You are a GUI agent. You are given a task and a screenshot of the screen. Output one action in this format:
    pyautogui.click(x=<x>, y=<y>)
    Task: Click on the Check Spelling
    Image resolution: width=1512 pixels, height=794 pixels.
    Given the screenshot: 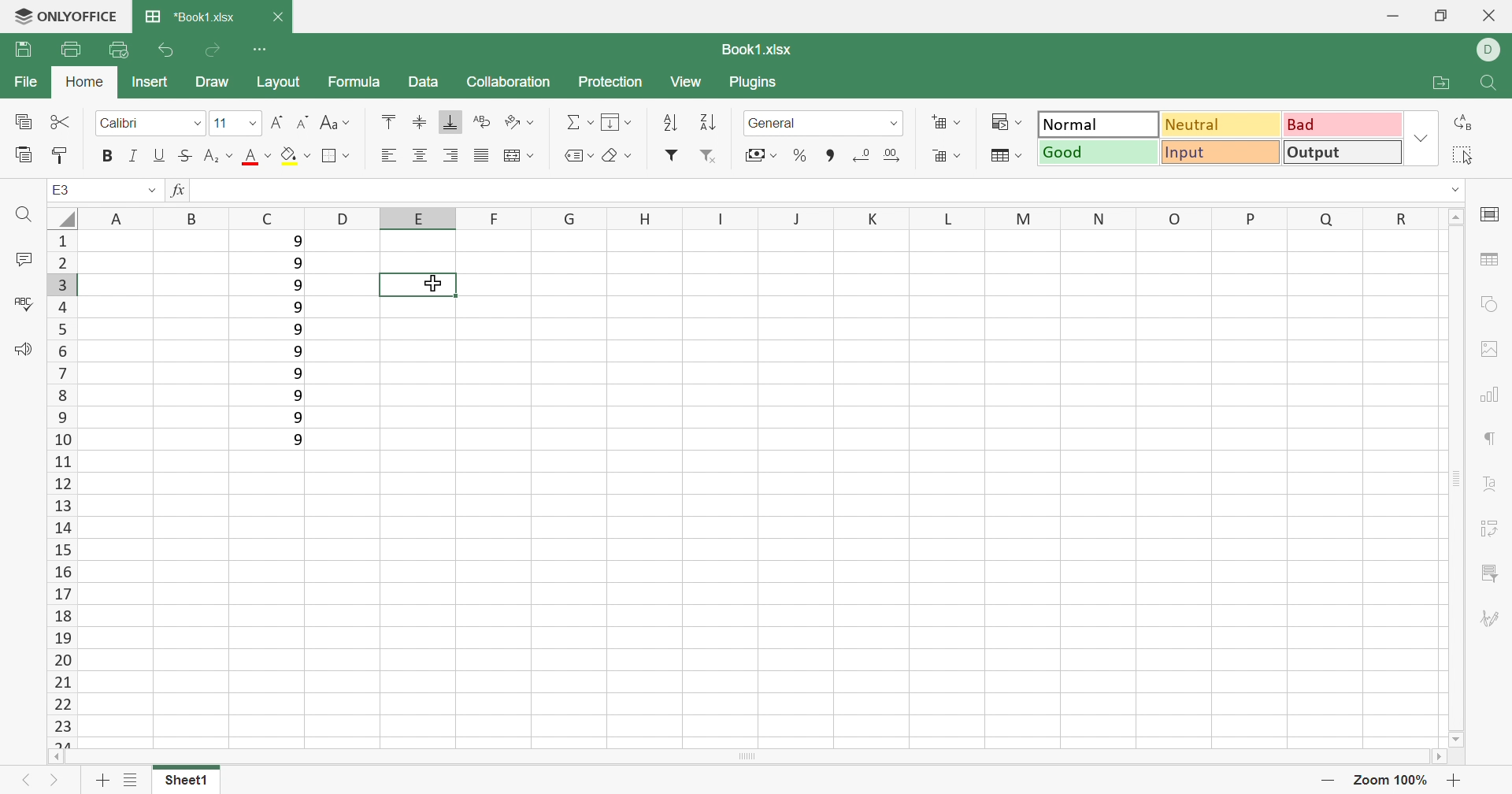 What is the action you would take?
    pyautogui.click(x=22, y=301)
    